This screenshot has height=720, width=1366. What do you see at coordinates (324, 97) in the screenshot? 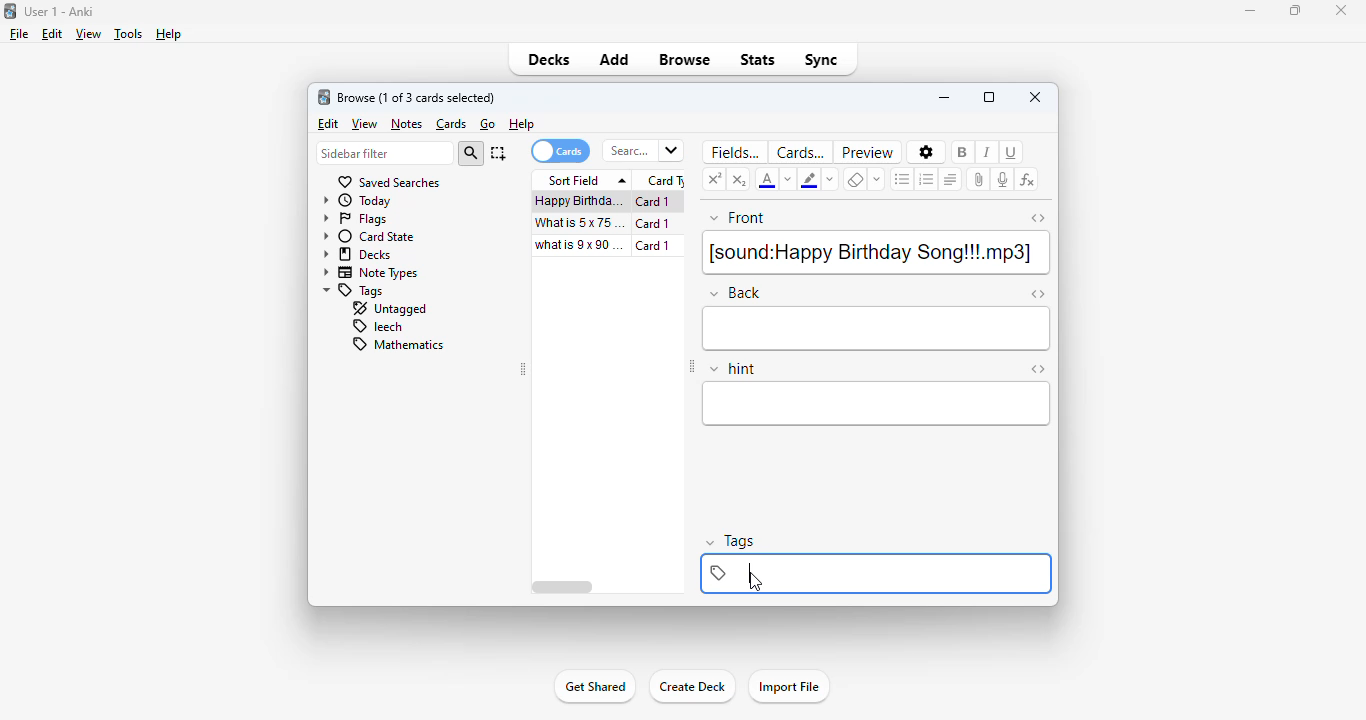
I see `logo` at bounding box center [324, 97].